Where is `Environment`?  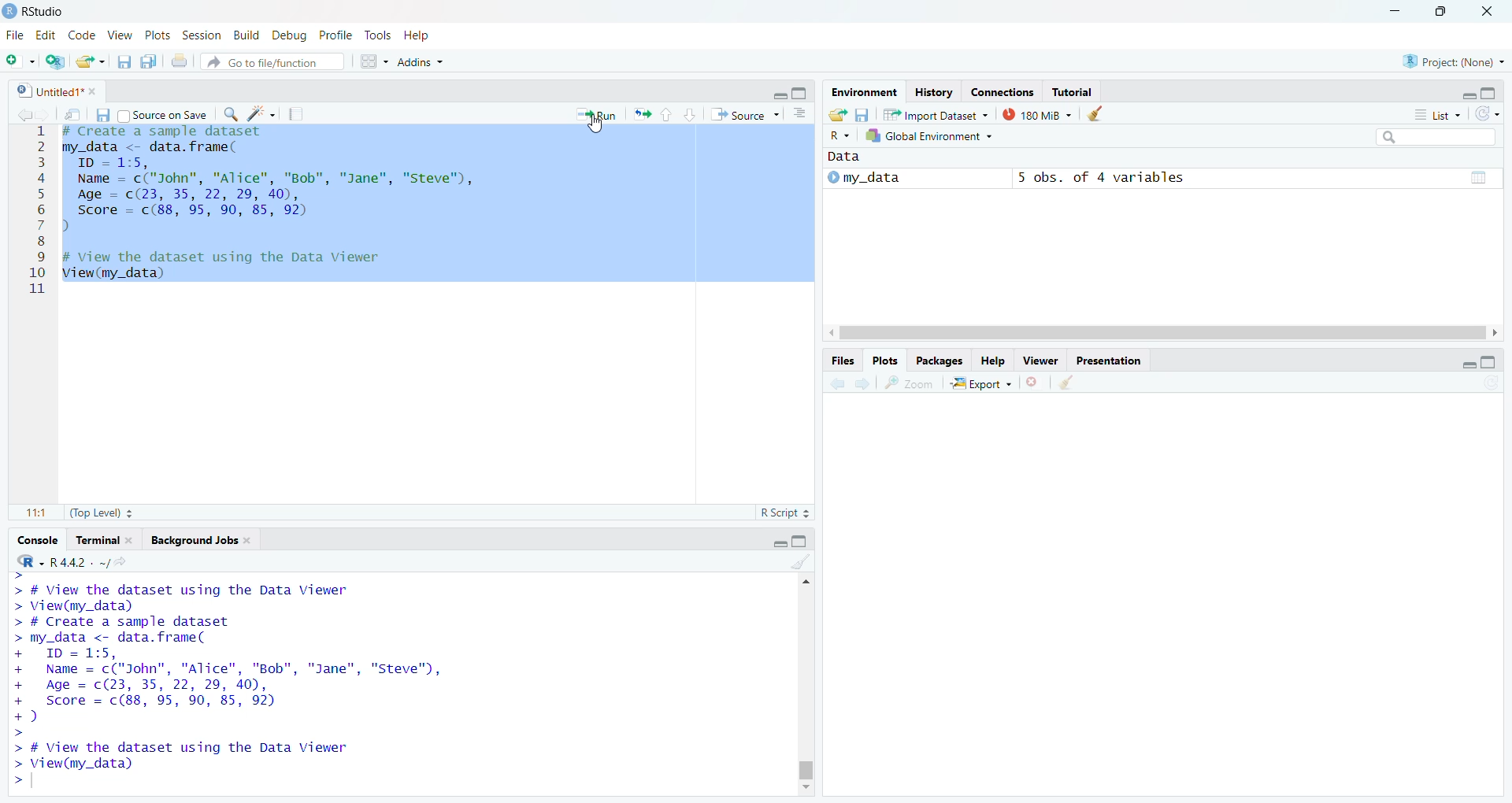
Environment is located at coordinates (865, 94).